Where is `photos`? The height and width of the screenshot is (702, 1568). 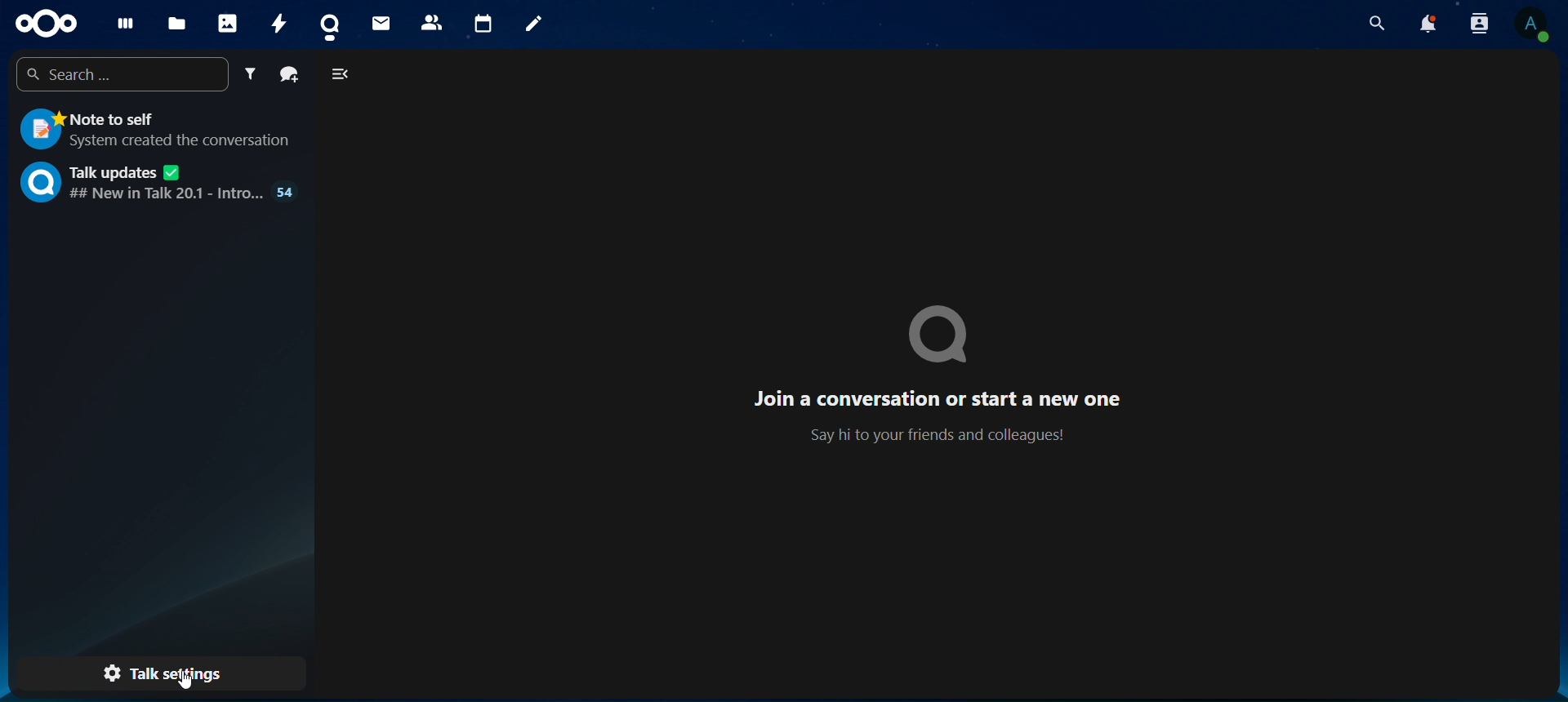 photos is located at coordinates (230, 20).